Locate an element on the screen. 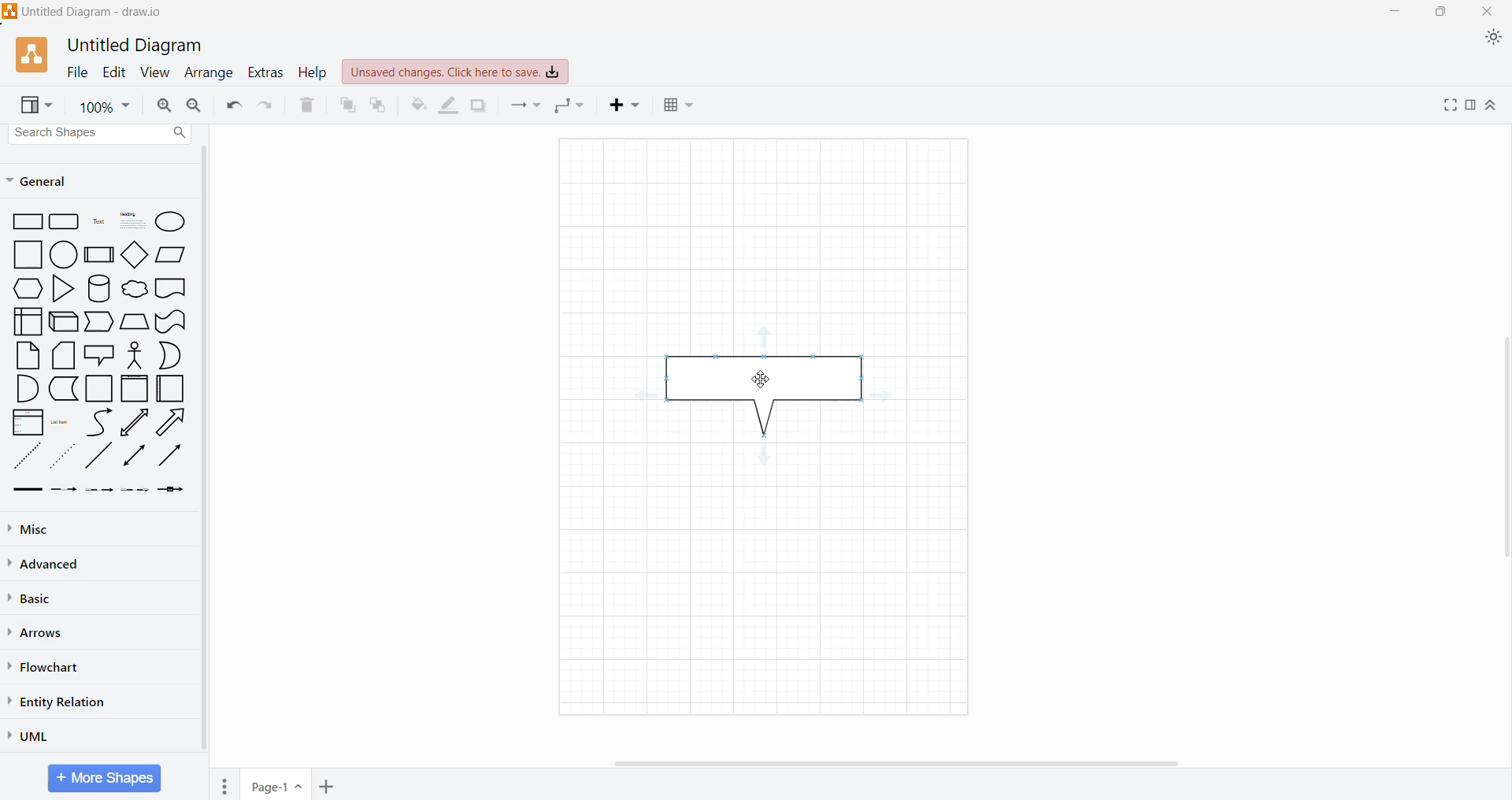 The width and height of the screenshot is (1512, 800). Right Diagonal Arrow is located at coordinates (173, 421).